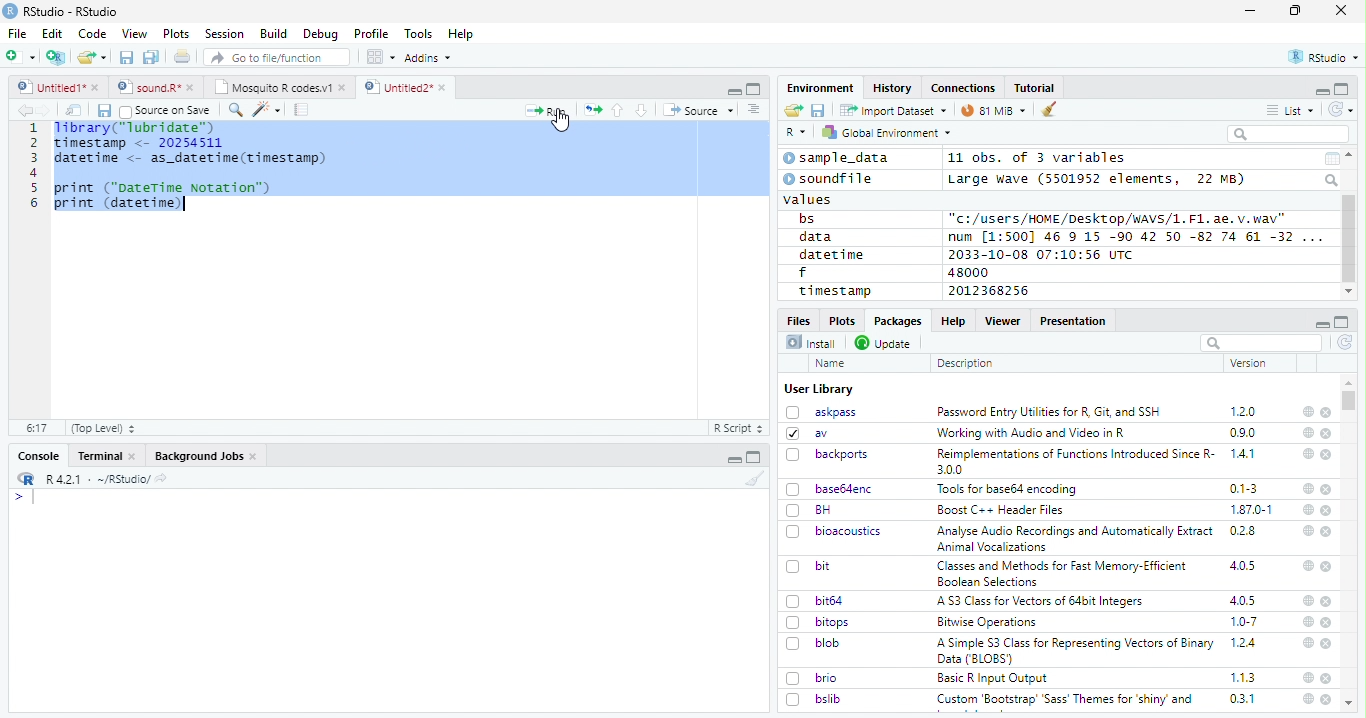 The height and width of the screenshot is (718, 1366). What do you see at coordinates (1243, 677) in the screenshot?
I see `1.1.3` at bounding box center [1243, 677].